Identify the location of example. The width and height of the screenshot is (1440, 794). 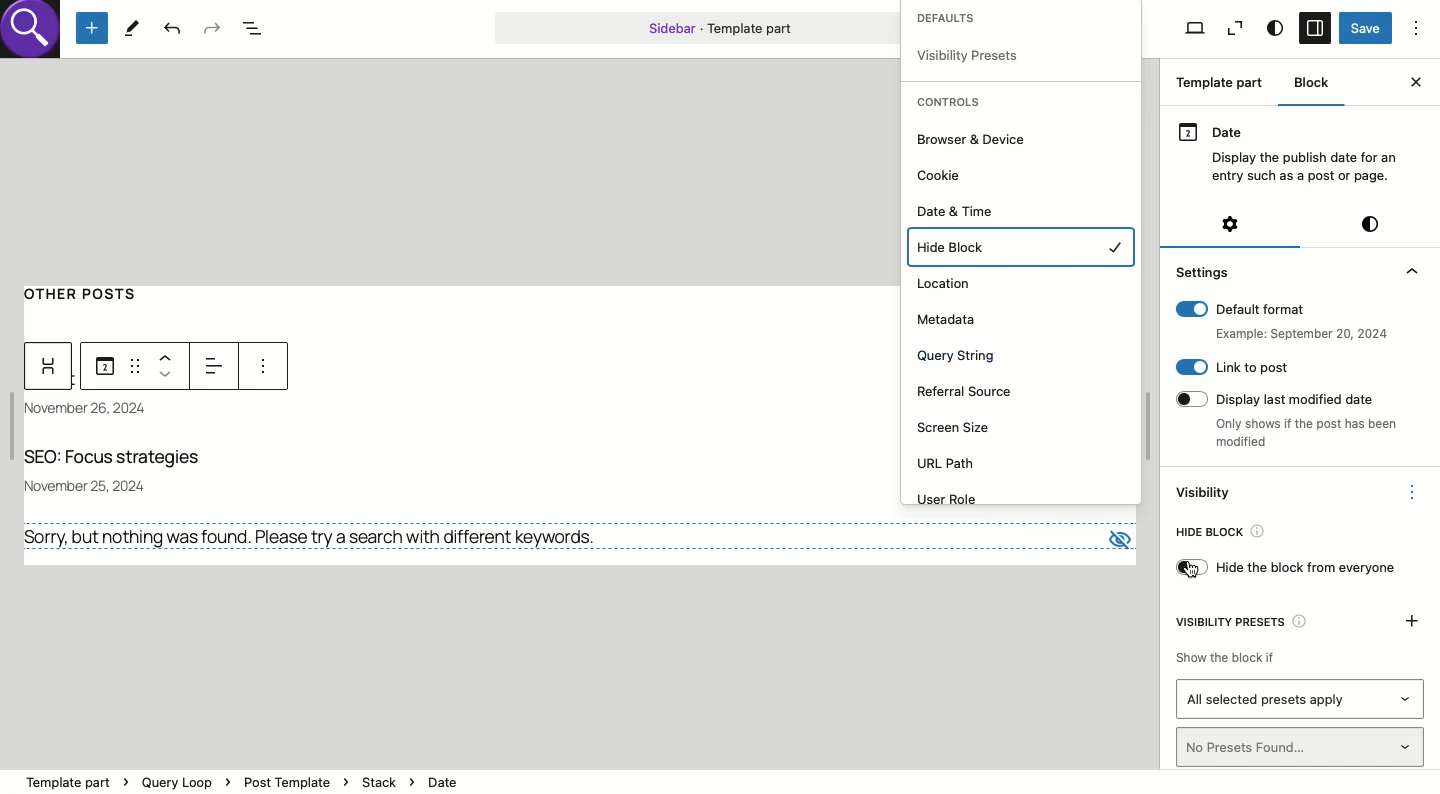
(1297, 334).